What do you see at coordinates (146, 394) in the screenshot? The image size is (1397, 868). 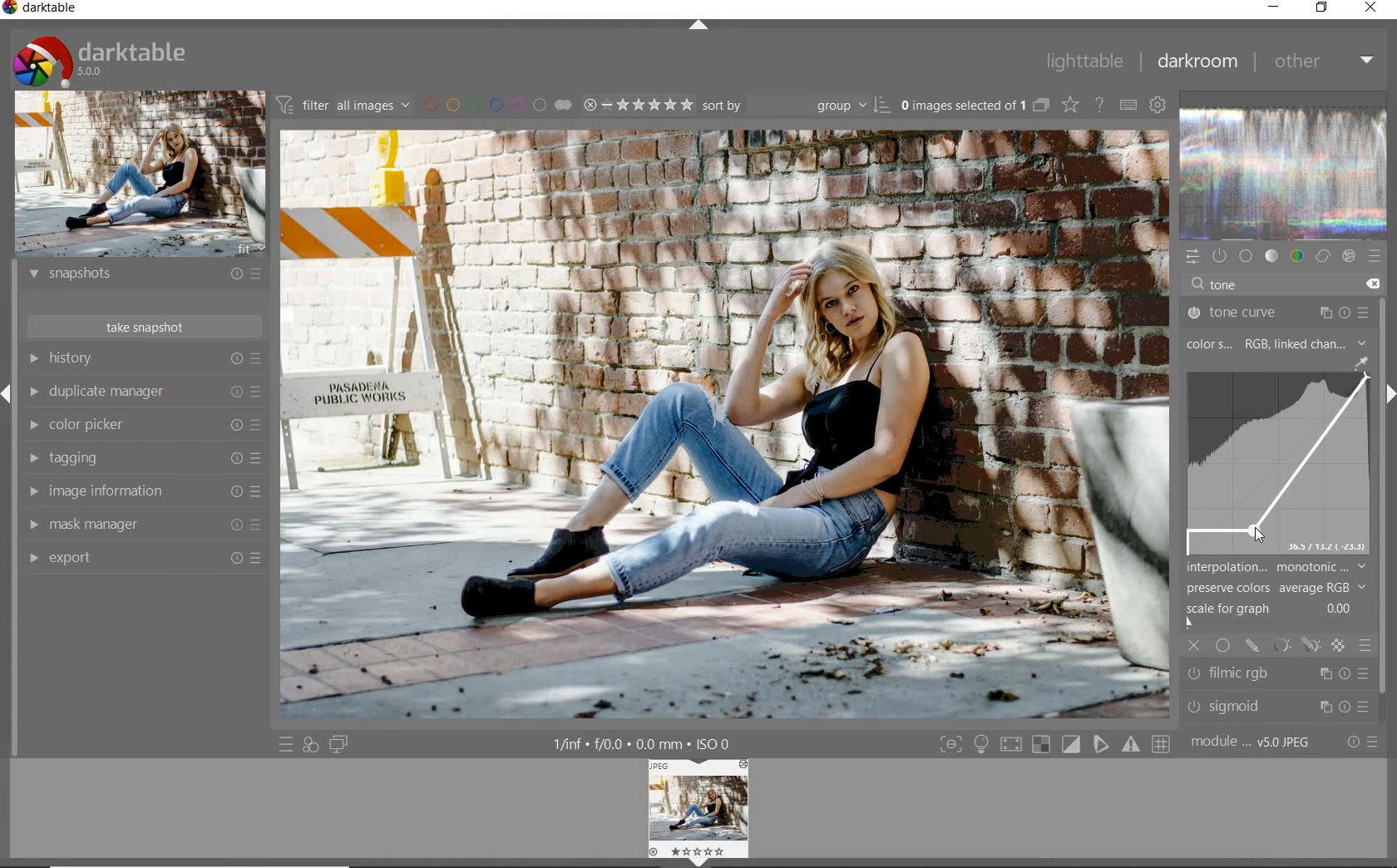 I see `duplicate manager` at bounding box center [146, 394].